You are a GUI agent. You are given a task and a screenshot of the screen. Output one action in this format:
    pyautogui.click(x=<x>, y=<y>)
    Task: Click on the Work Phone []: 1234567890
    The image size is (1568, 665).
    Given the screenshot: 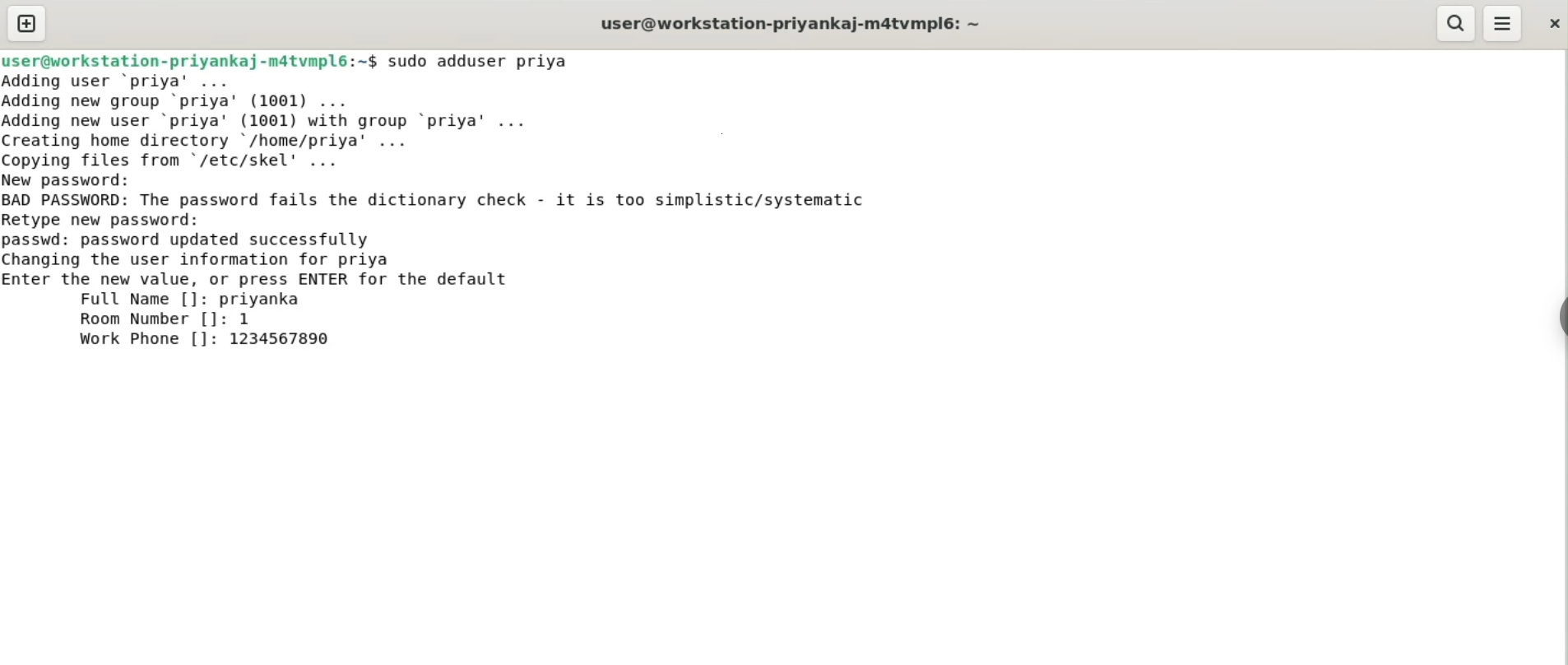 What is the action you would take?
    pyautogui.click(x=208, y=339)
    